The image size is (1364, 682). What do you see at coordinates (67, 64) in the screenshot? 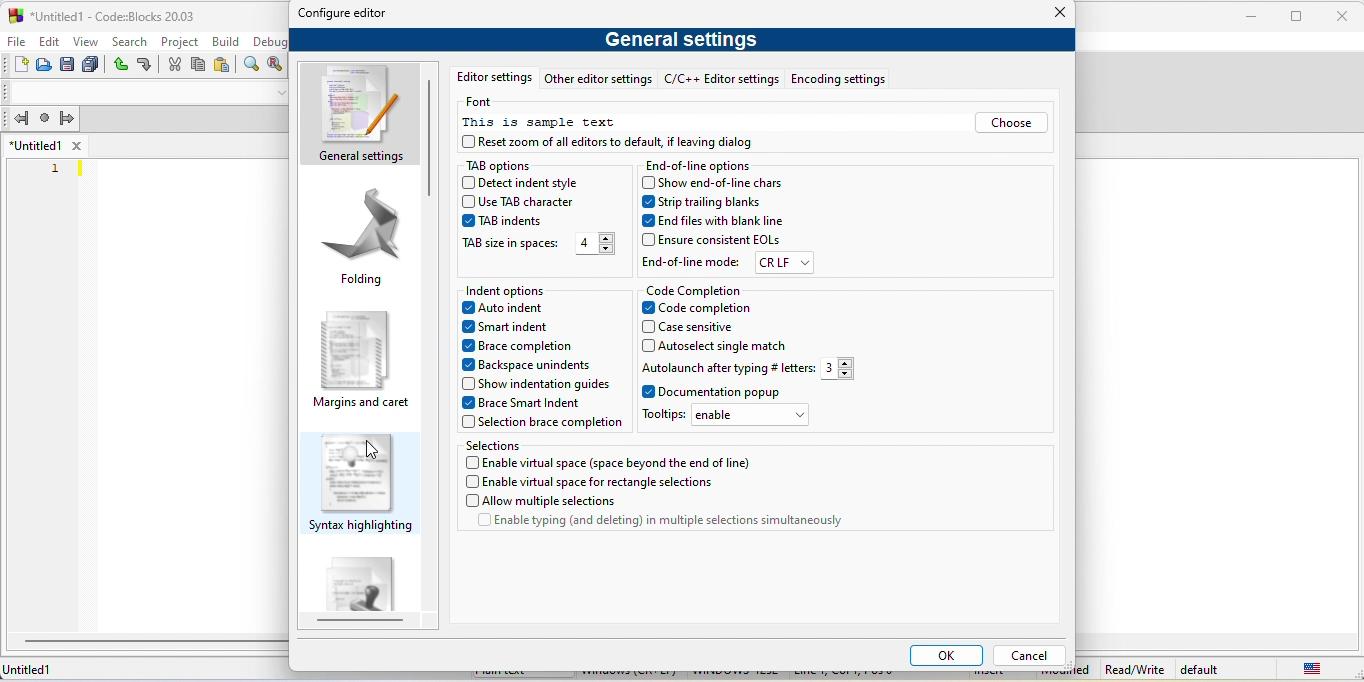
I see `save` at bounding box center [67, 64].